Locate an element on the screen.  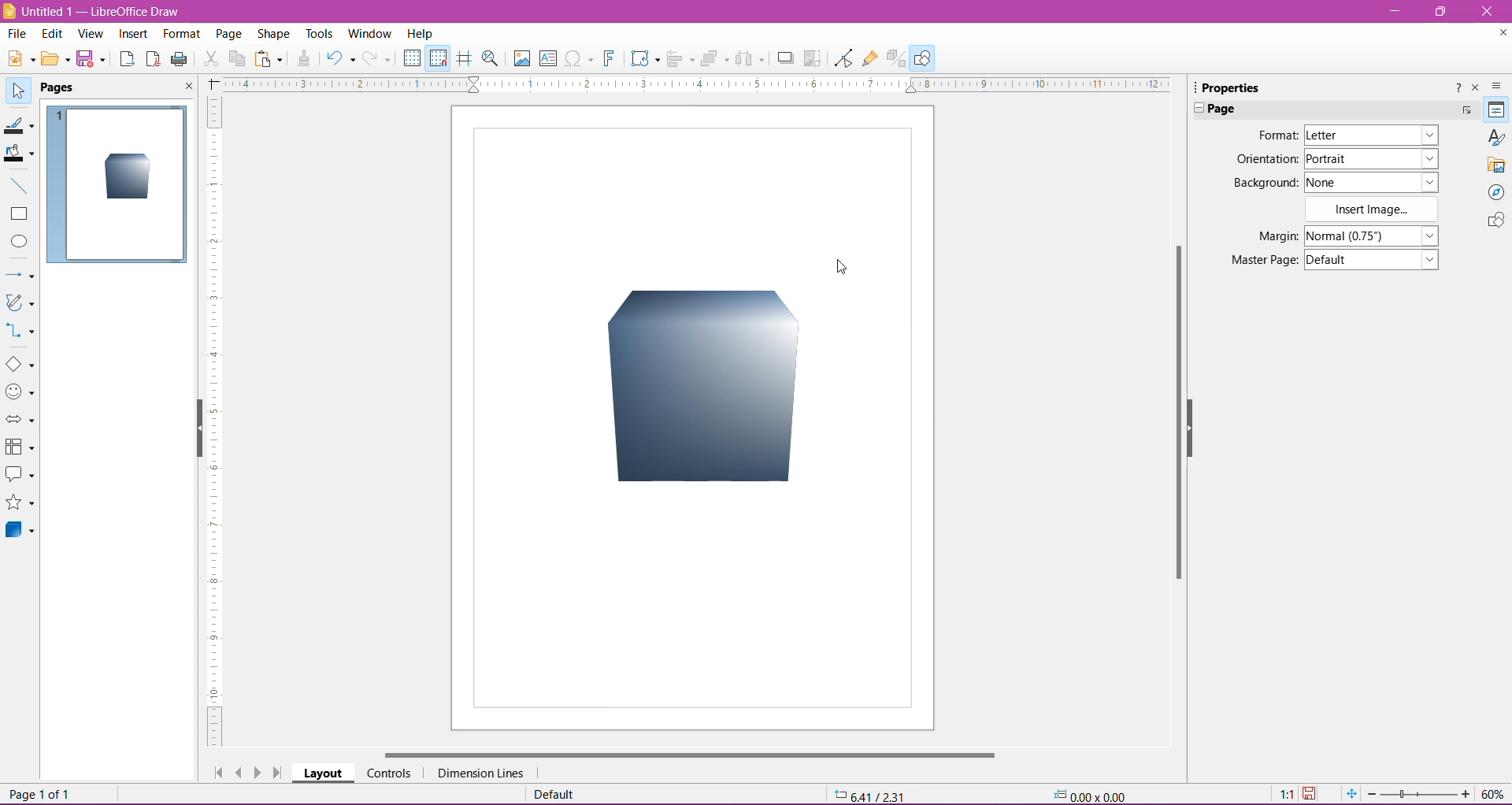
Restore Down is located at coordinates (1439, 11).